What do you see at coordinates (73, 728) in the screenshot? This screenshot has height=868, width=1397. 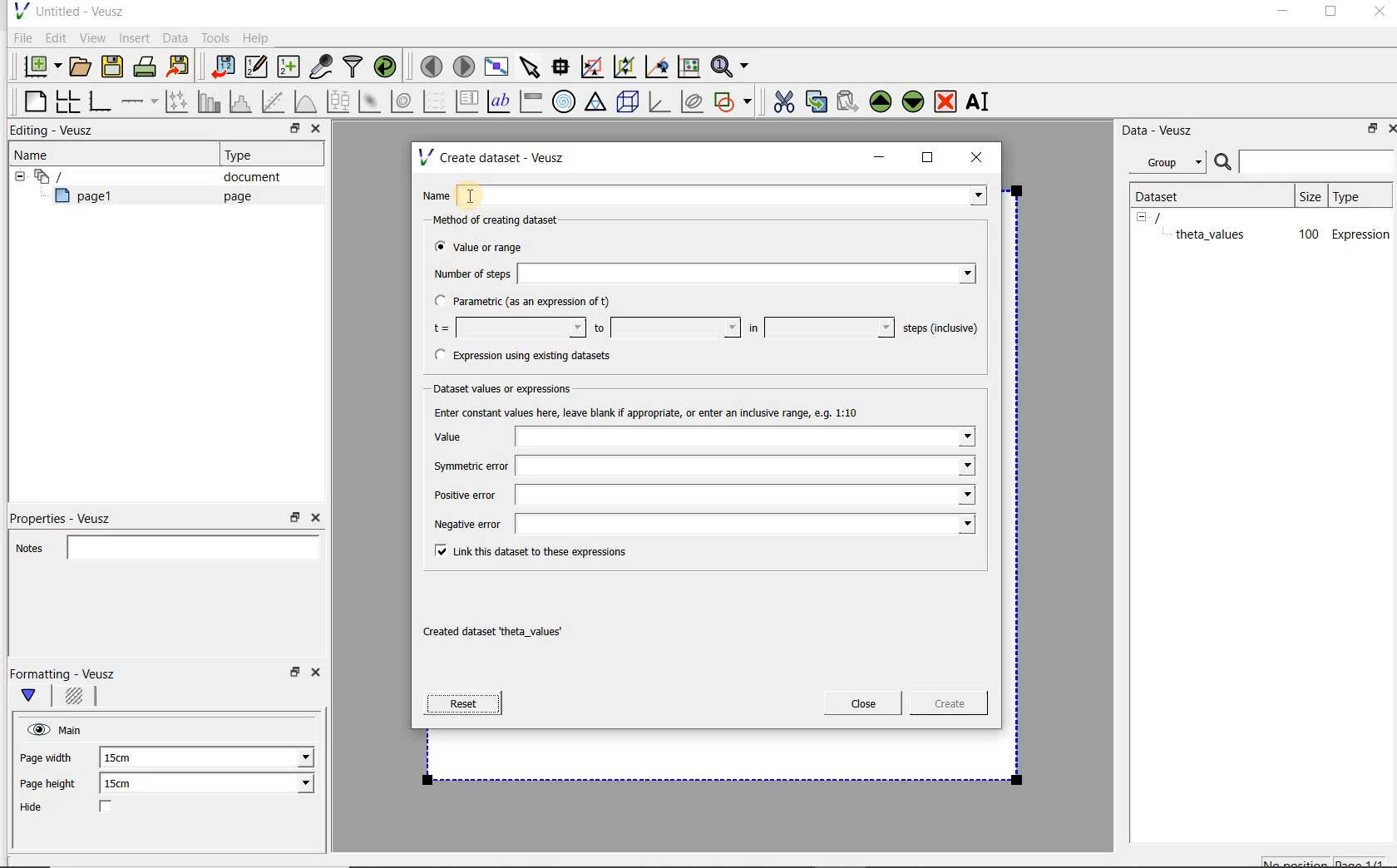 I see `Main` at bounding box center [73, 728].